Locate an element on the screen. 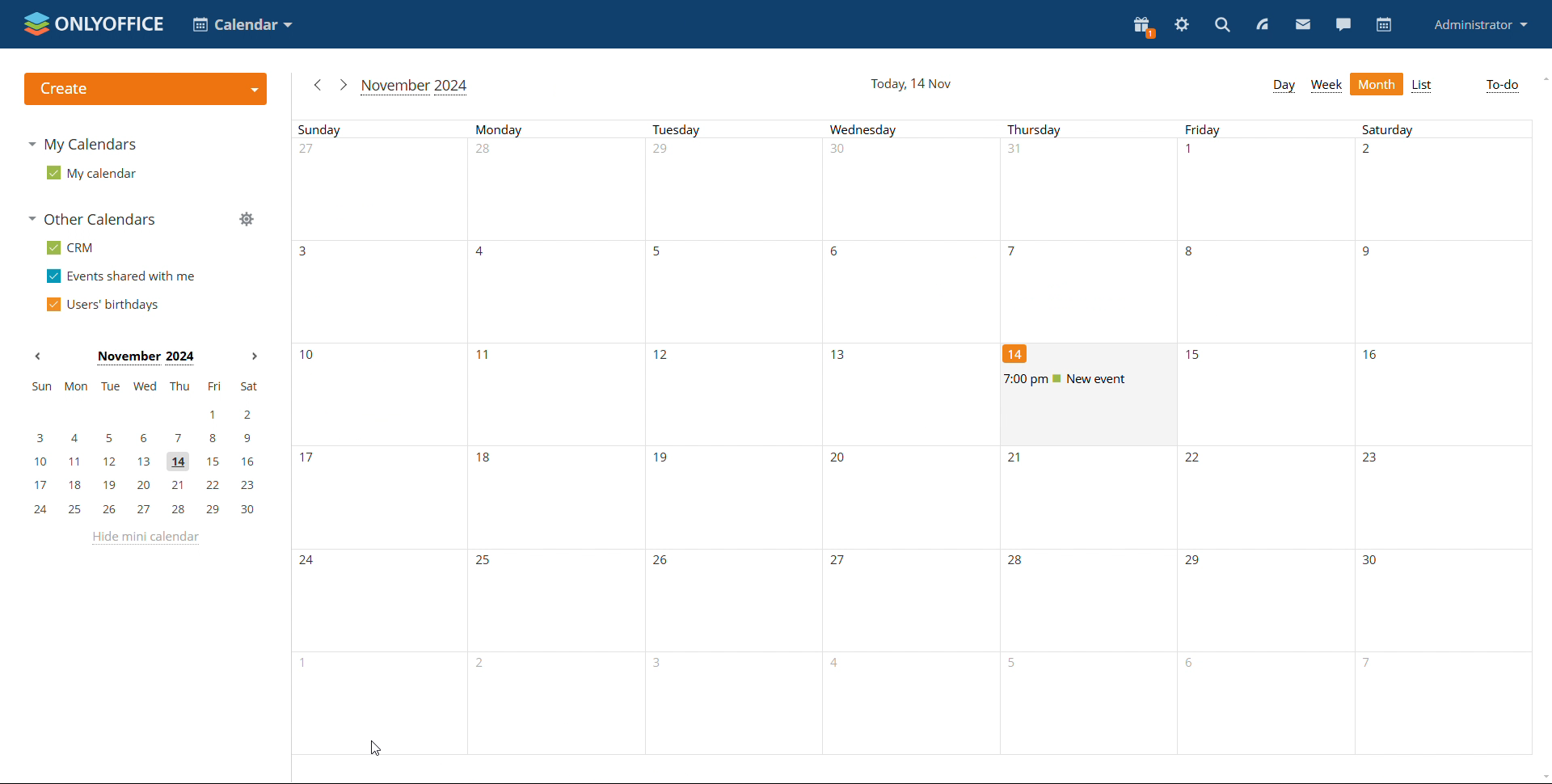 This screenshot has width=1552, height=784. to-do is located at coordinates (1502, 86).